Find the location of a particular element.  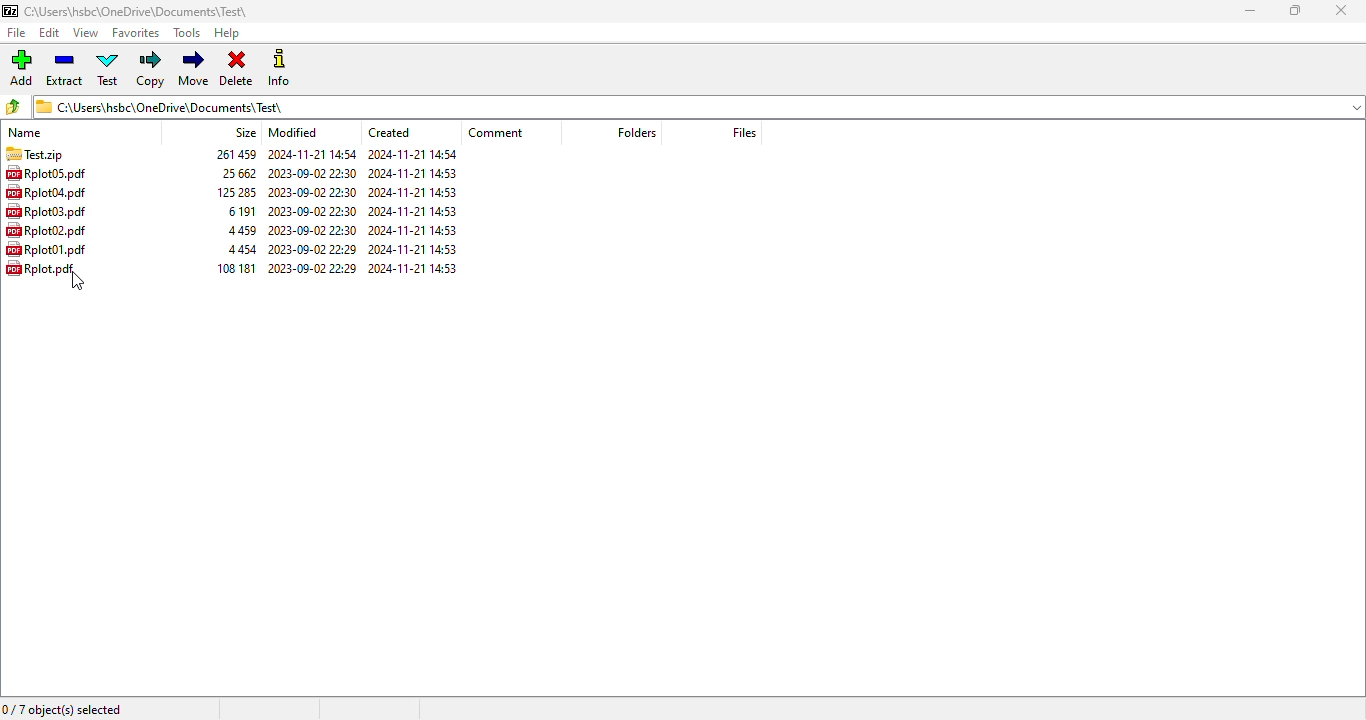

browse folders is located at coordinates (13, 106).